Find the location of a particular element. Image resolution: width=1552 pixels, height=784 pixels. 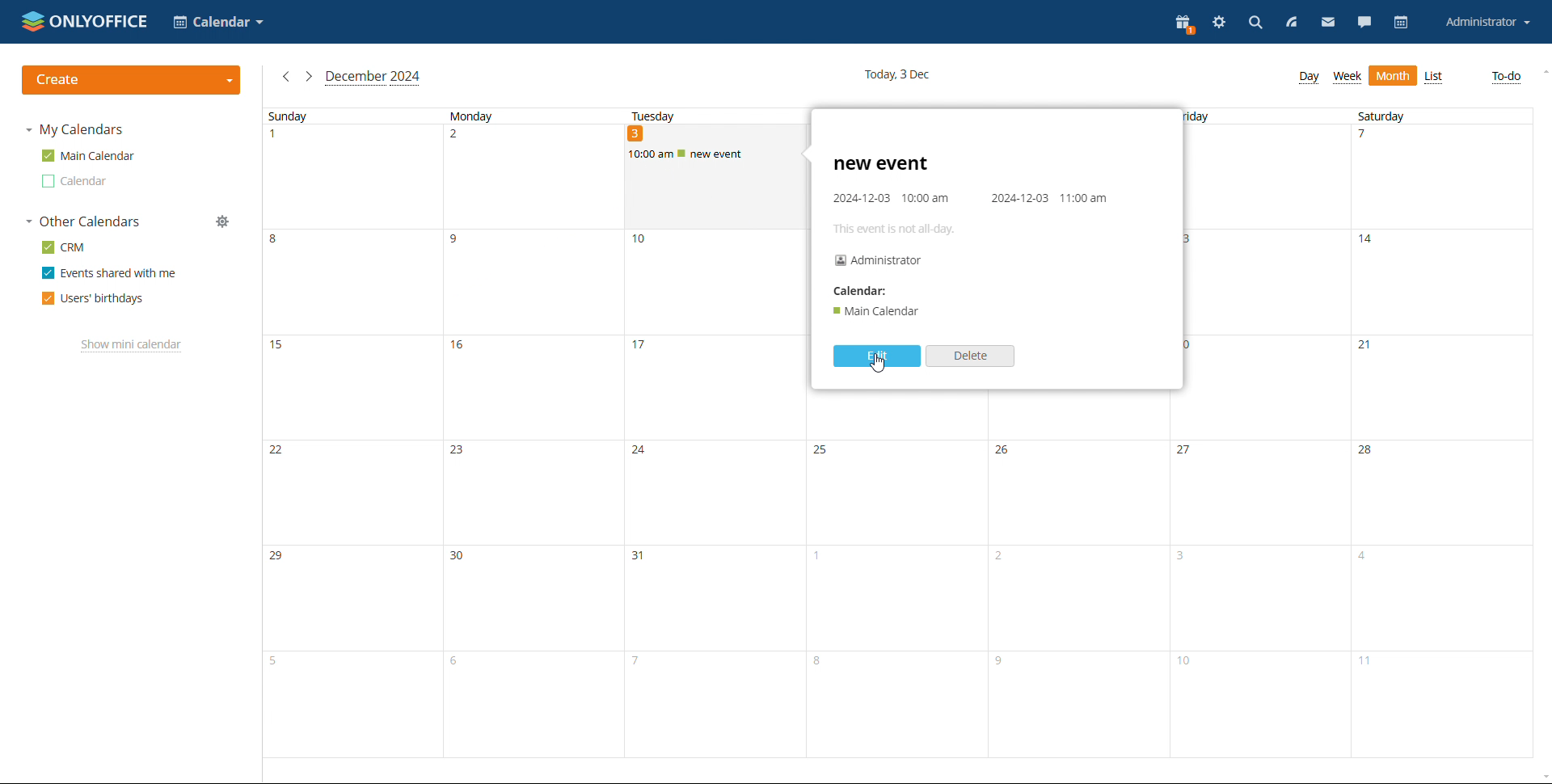

scheduled event is located at coordinates (715, 153).